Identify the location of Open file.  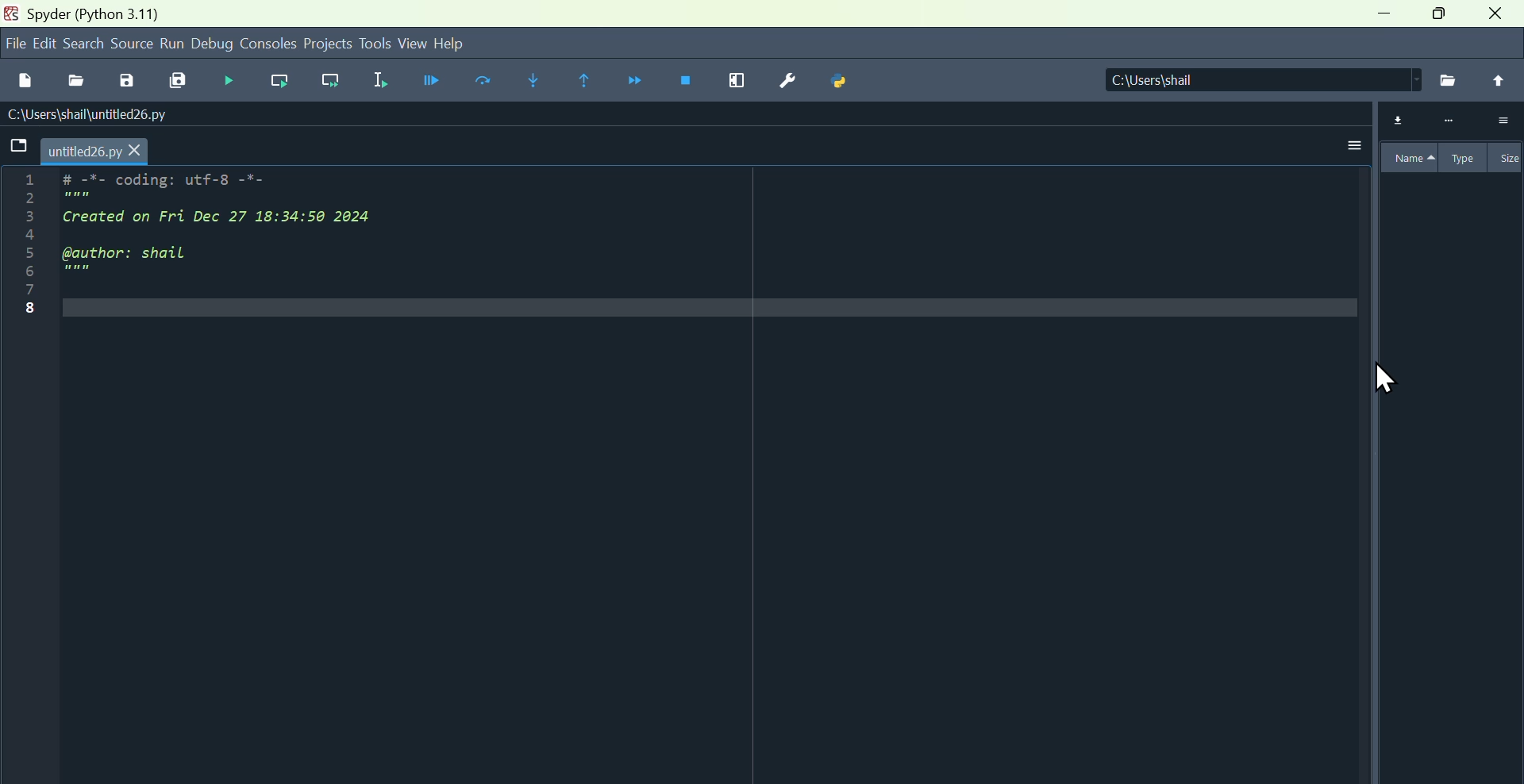
(74, 78).